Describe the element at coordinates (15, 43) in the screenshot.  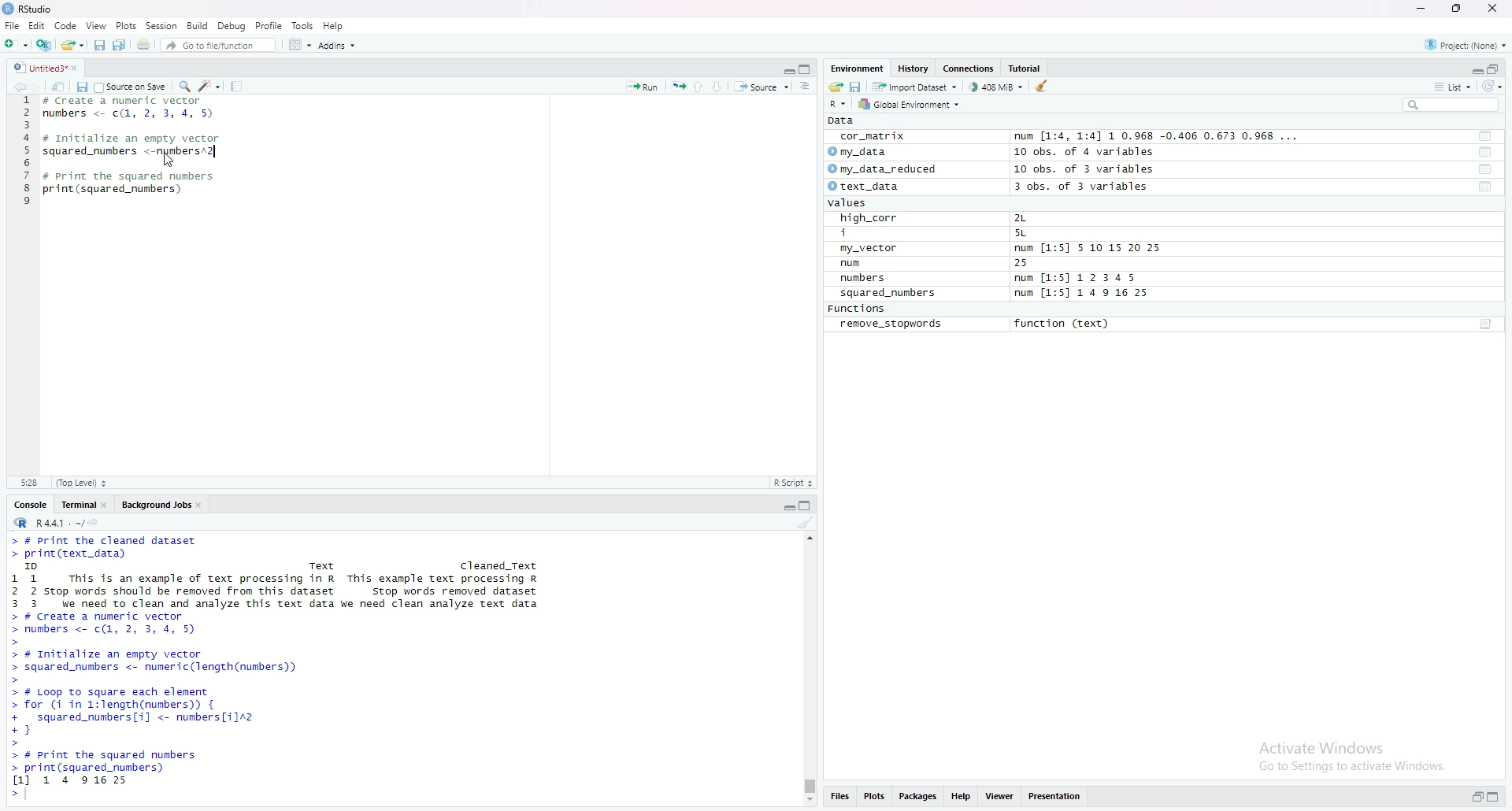
I see `New File` at that location.